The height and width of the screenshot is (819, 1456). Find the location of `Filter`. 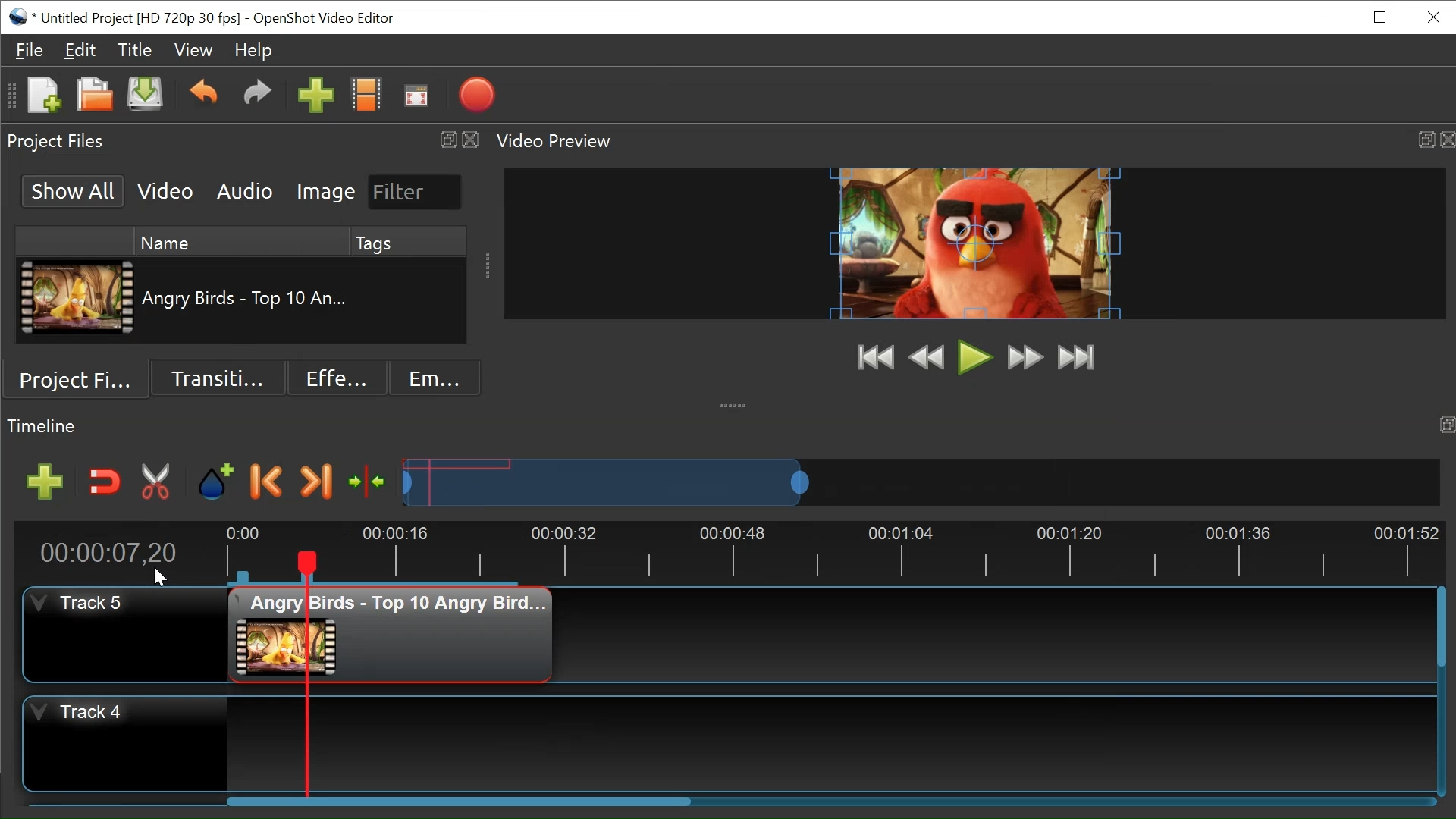

Filter is located at coordinates (416, 192).